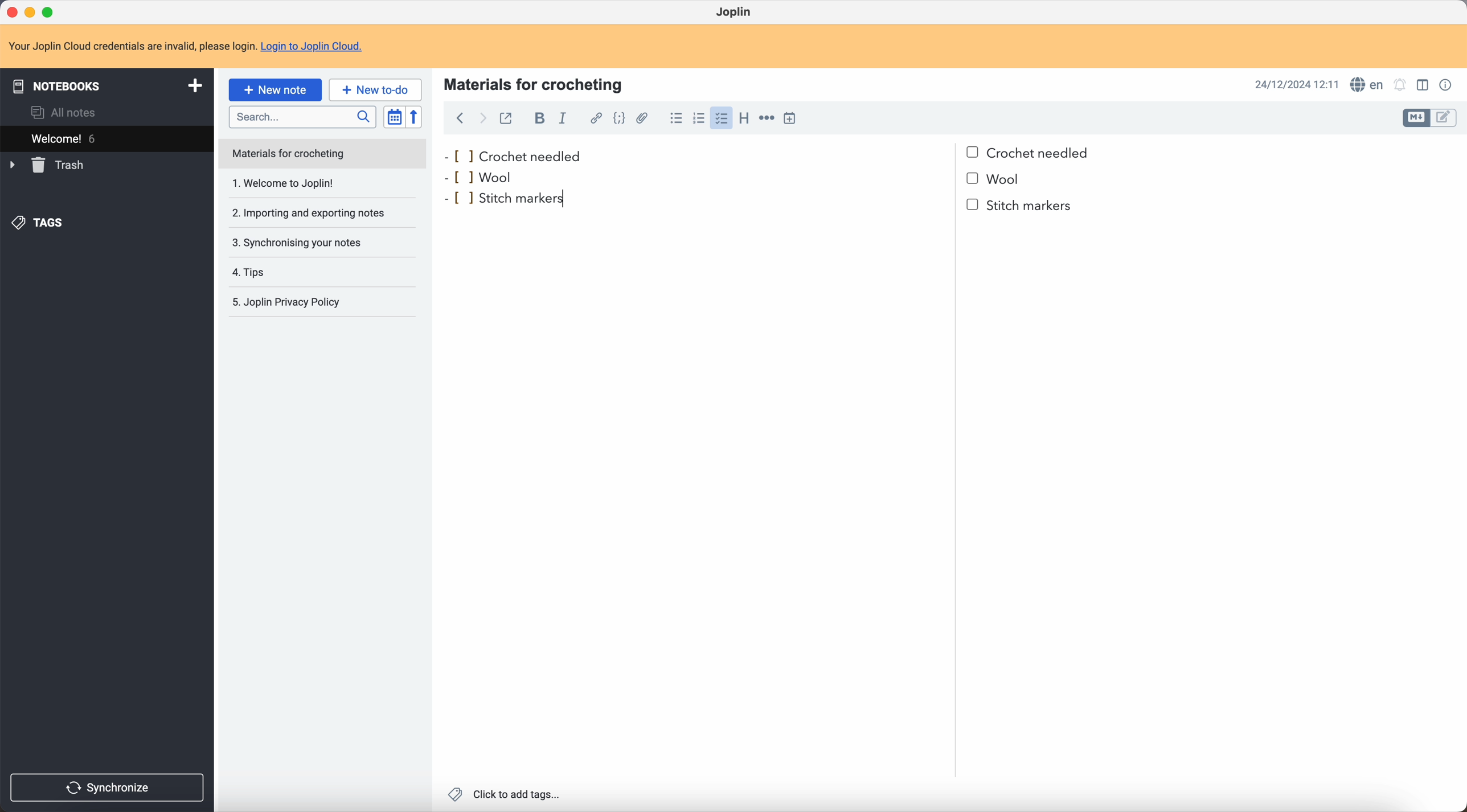 The image size is (1467, 812). Describe the element at coordinates (1297, 84) in the screenshot. I see `date and hour` at that location.